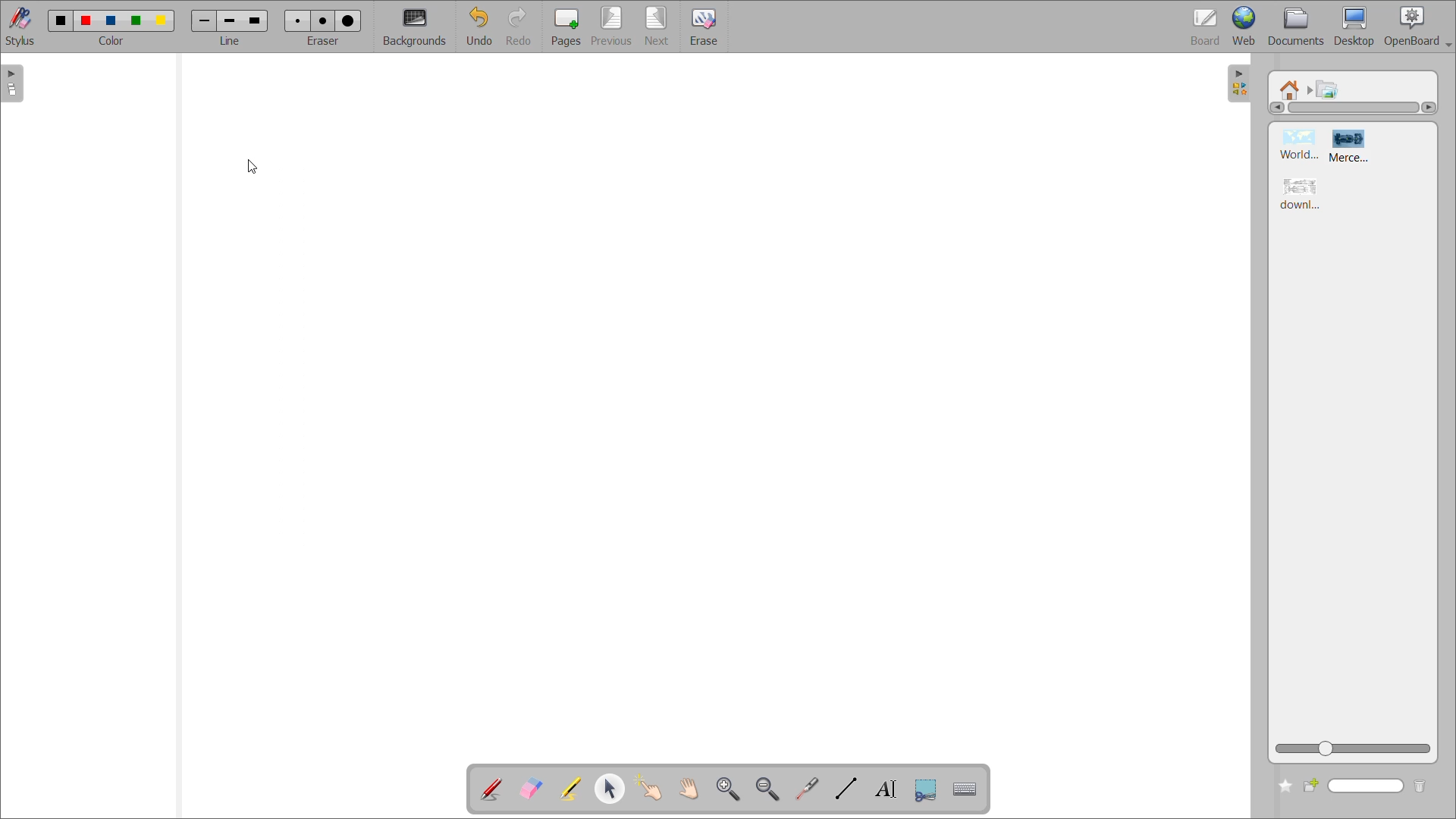 Image resolution: width=1456 pixels, height=819 pixels. Describe the element at coordinates (416, 25) in the screenshot. I see `background` at that location.